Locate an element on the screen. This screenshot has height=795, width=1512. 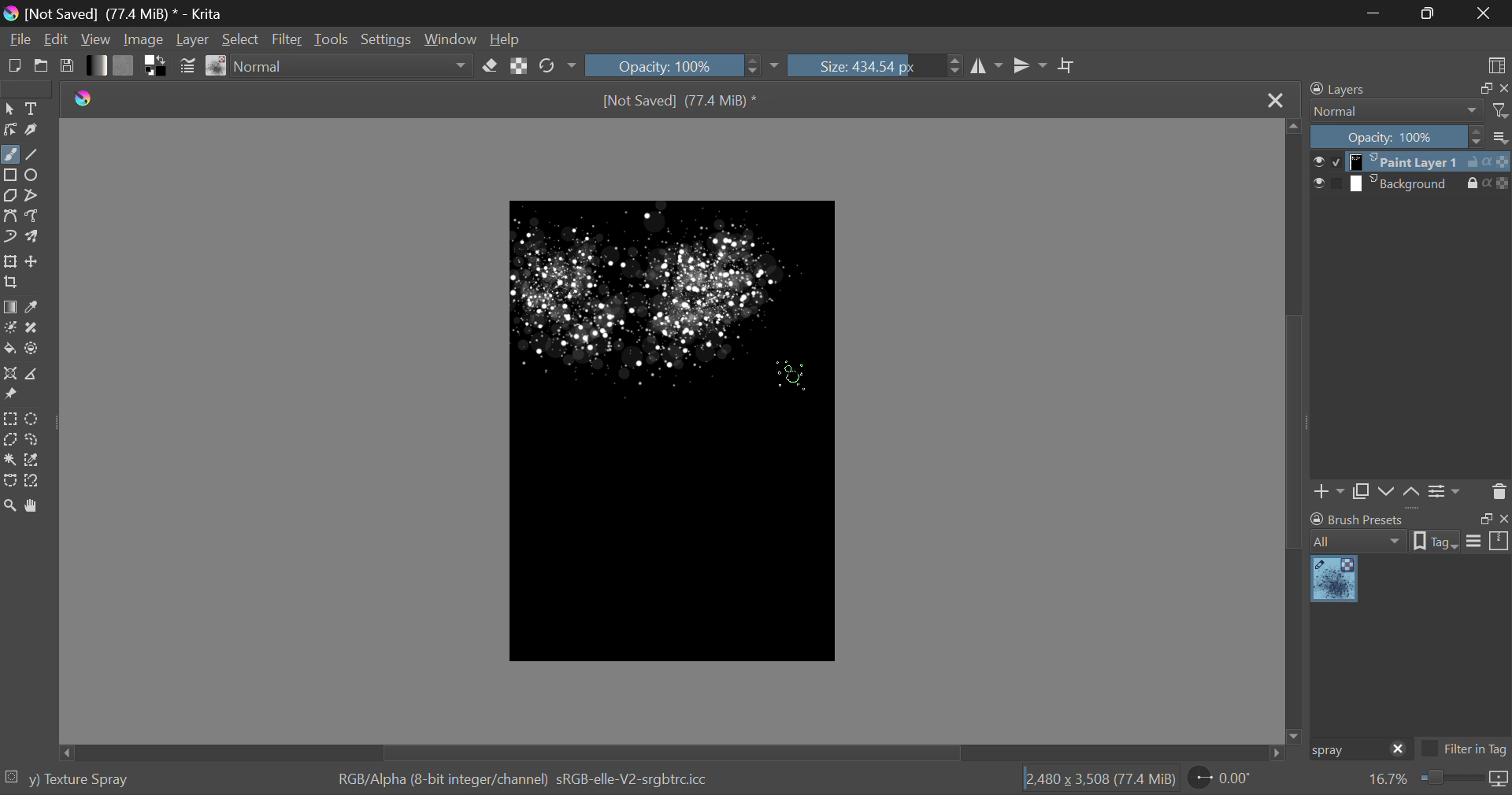
Rectanle is located at coordinates (10, 176).